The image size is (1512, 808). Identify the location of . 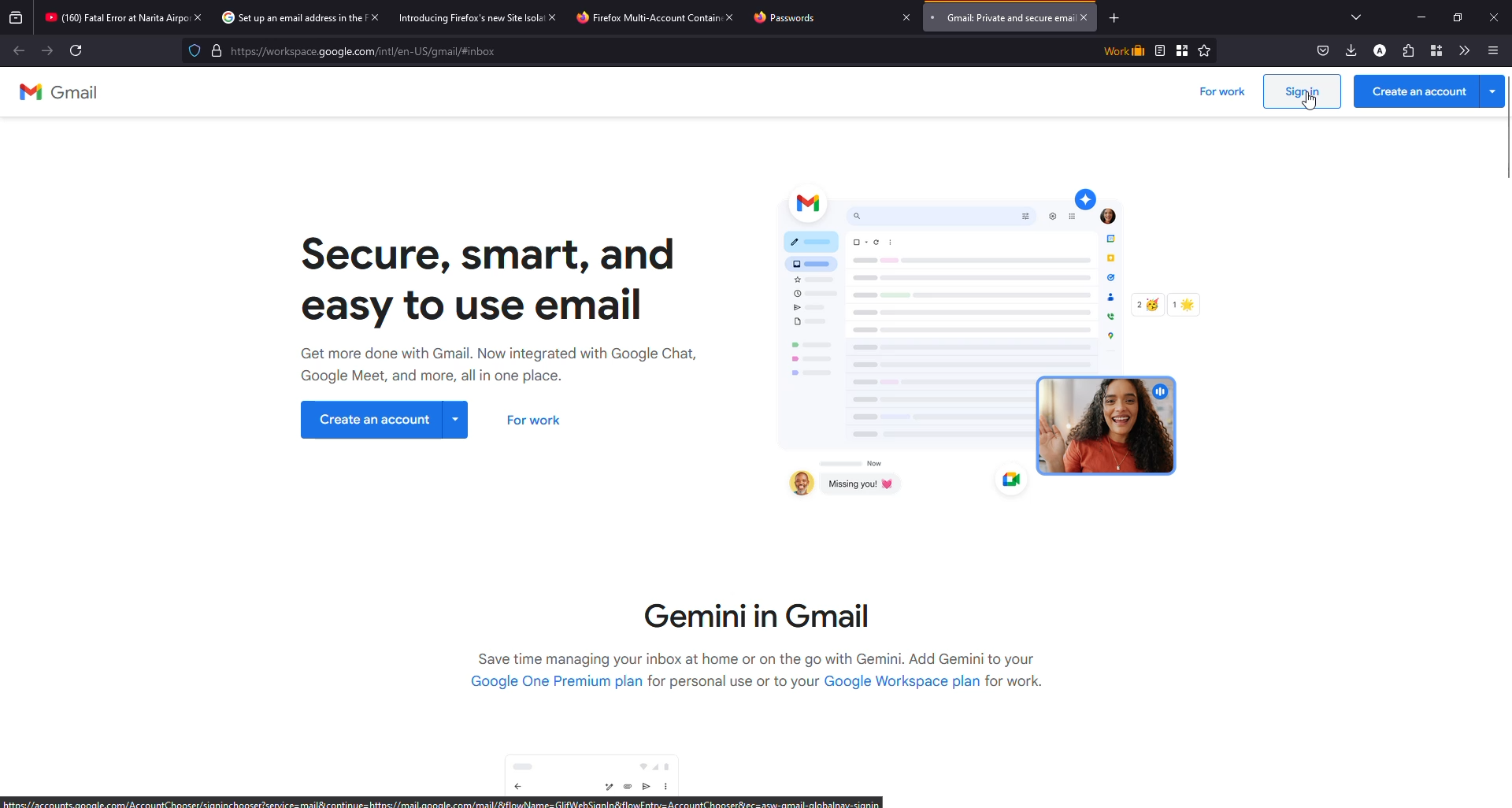
(76, 51).